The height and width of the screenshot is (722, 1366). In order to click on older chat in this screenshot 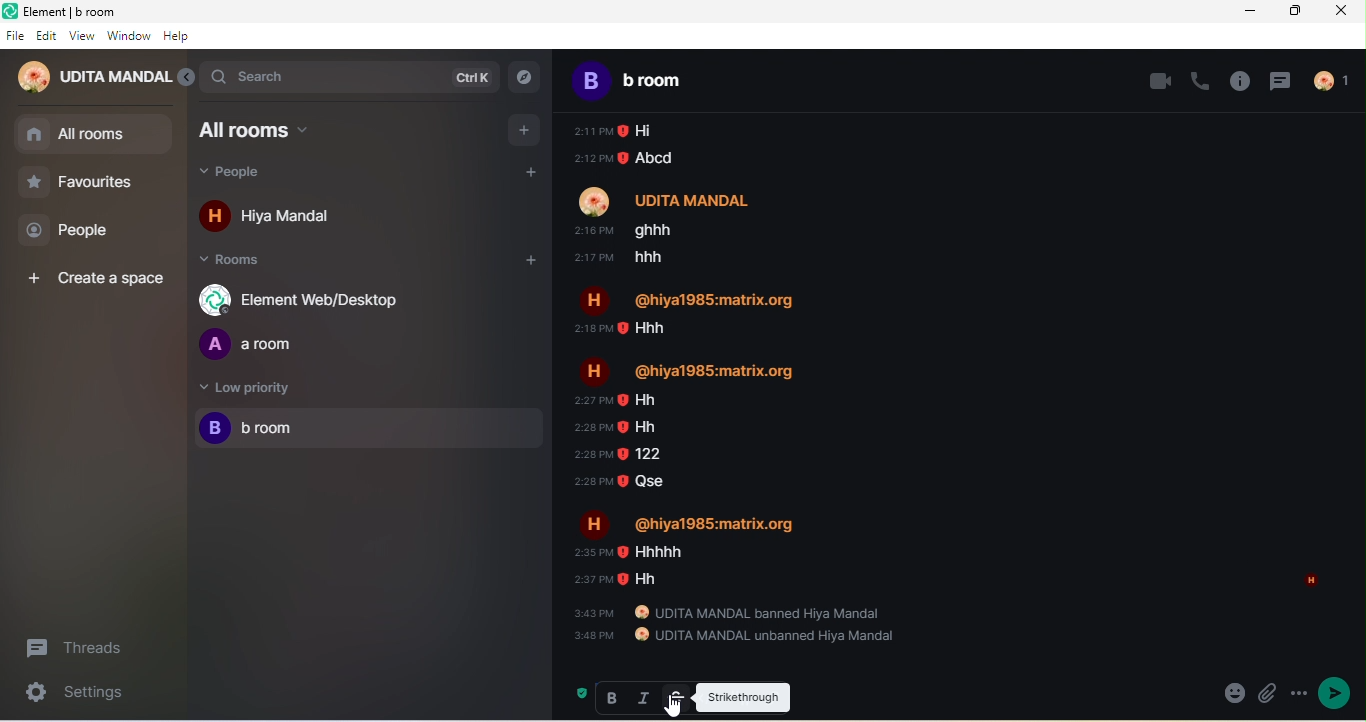, I will do `click(952, 379)`.